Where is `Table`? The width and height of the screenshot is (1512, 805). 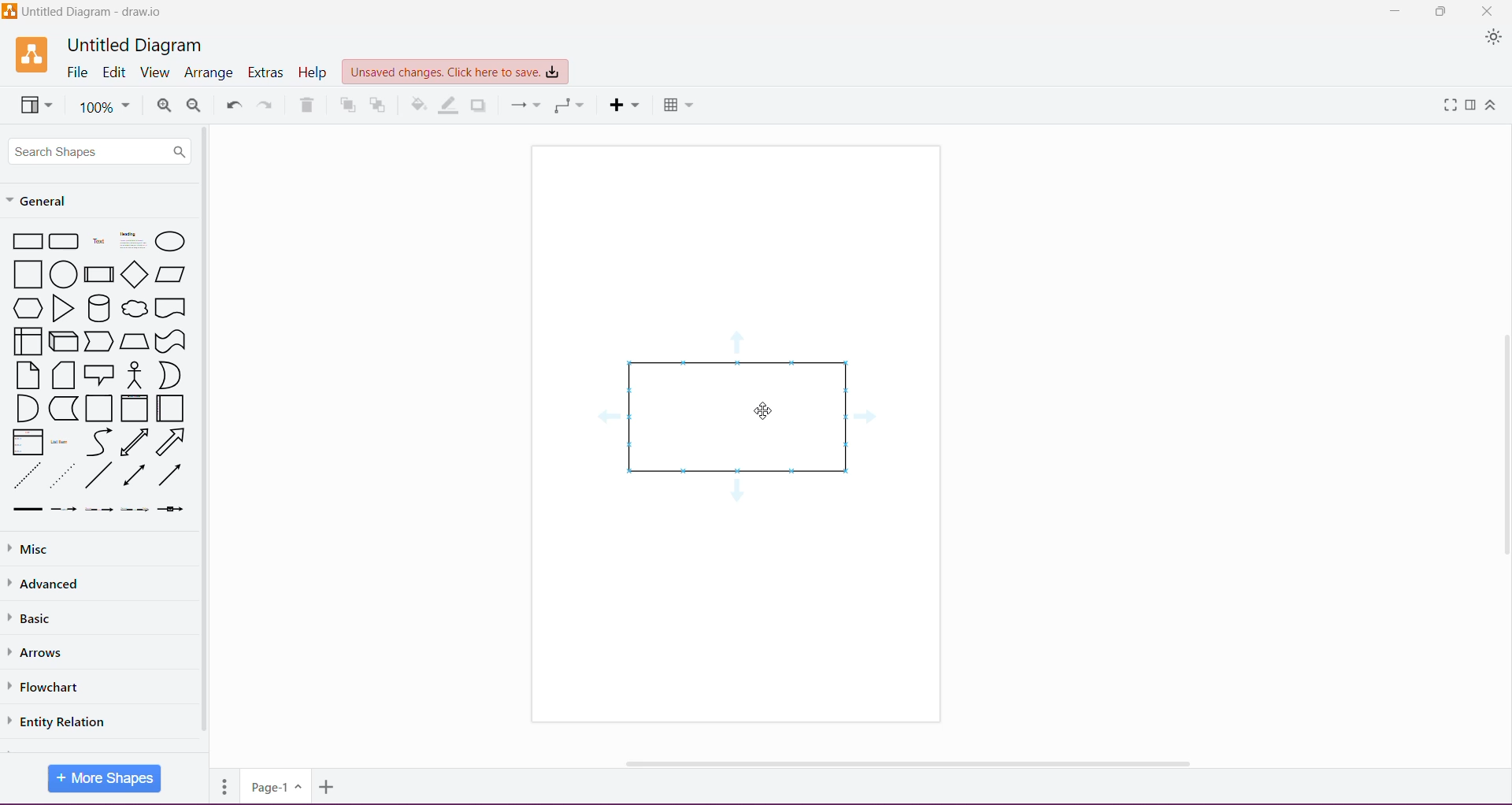 Table is located at coordinates (680, 107).